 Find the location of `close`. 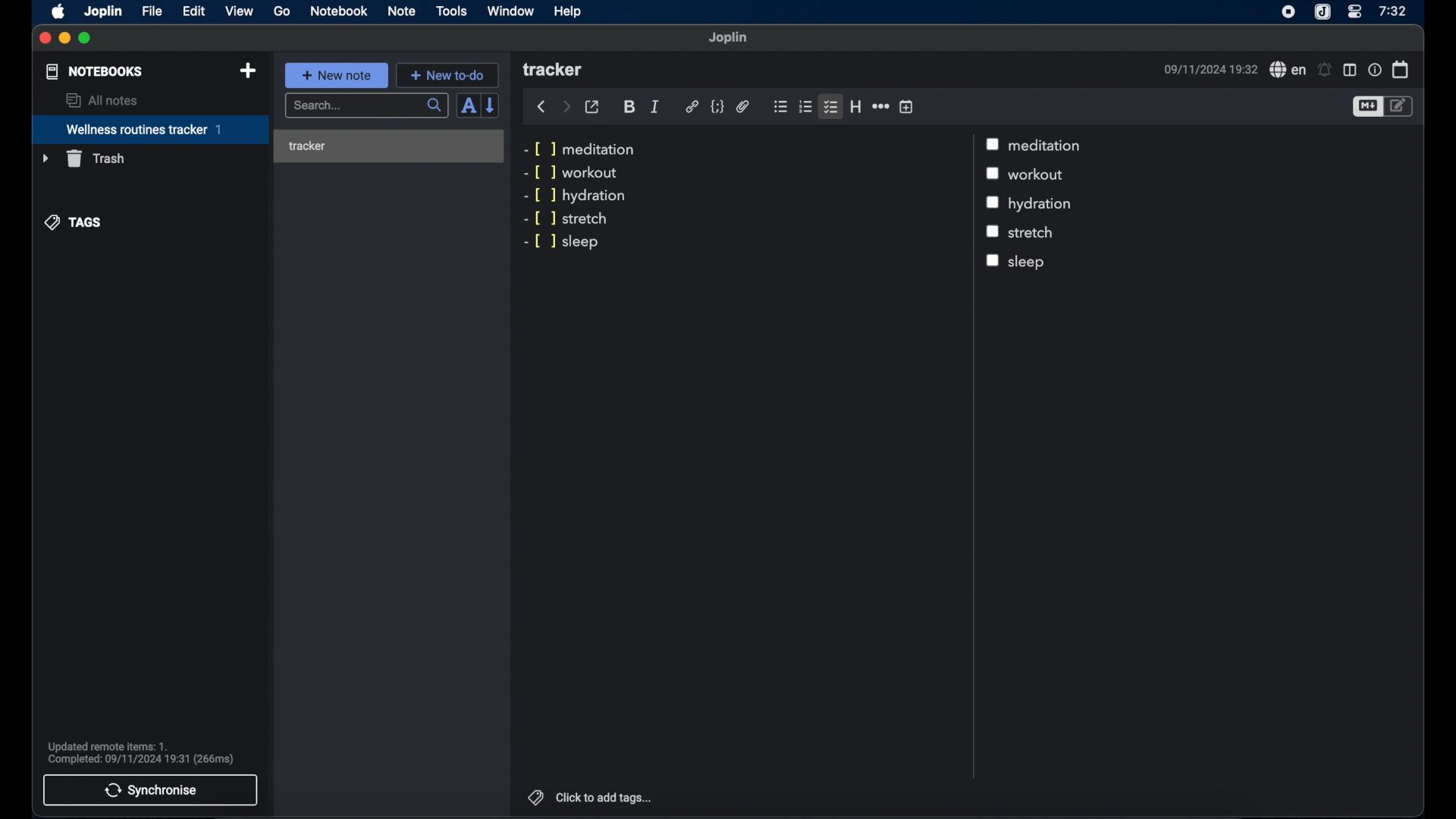

close is located at coordinates (45, 39).